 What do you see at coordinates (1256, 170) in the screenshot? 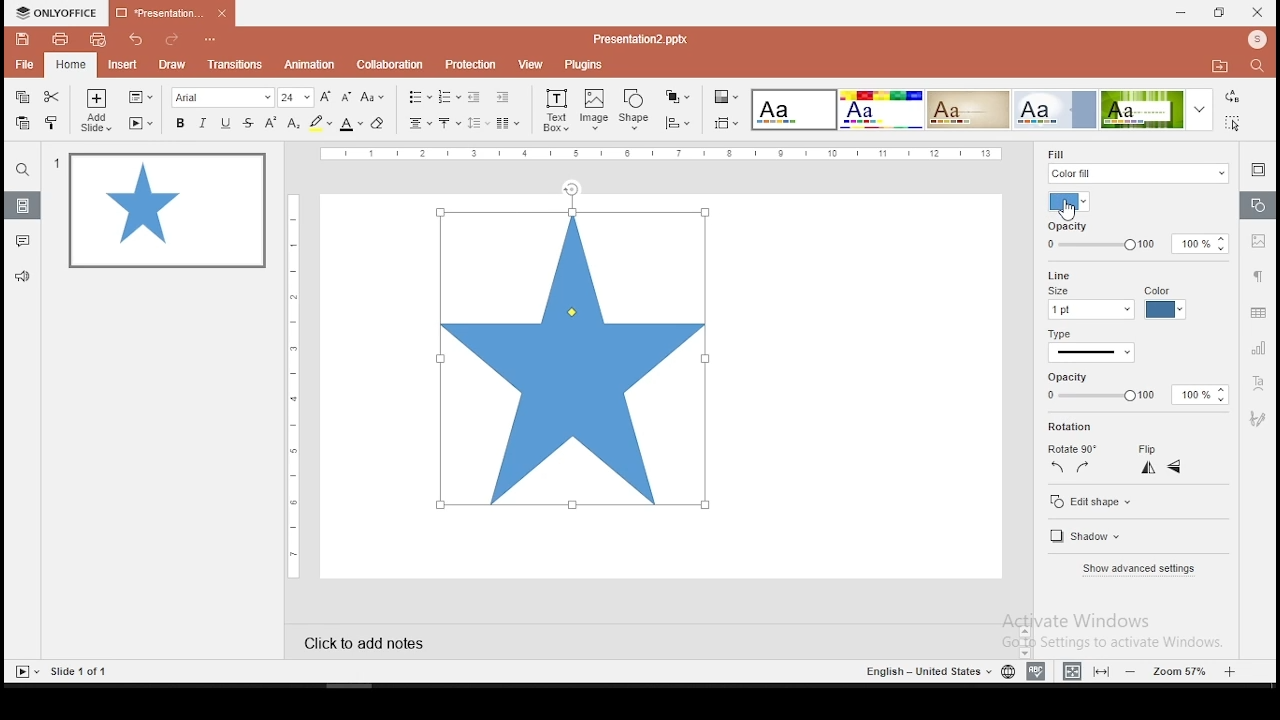
I see `slide settings` at bounding box center [1256, 170].